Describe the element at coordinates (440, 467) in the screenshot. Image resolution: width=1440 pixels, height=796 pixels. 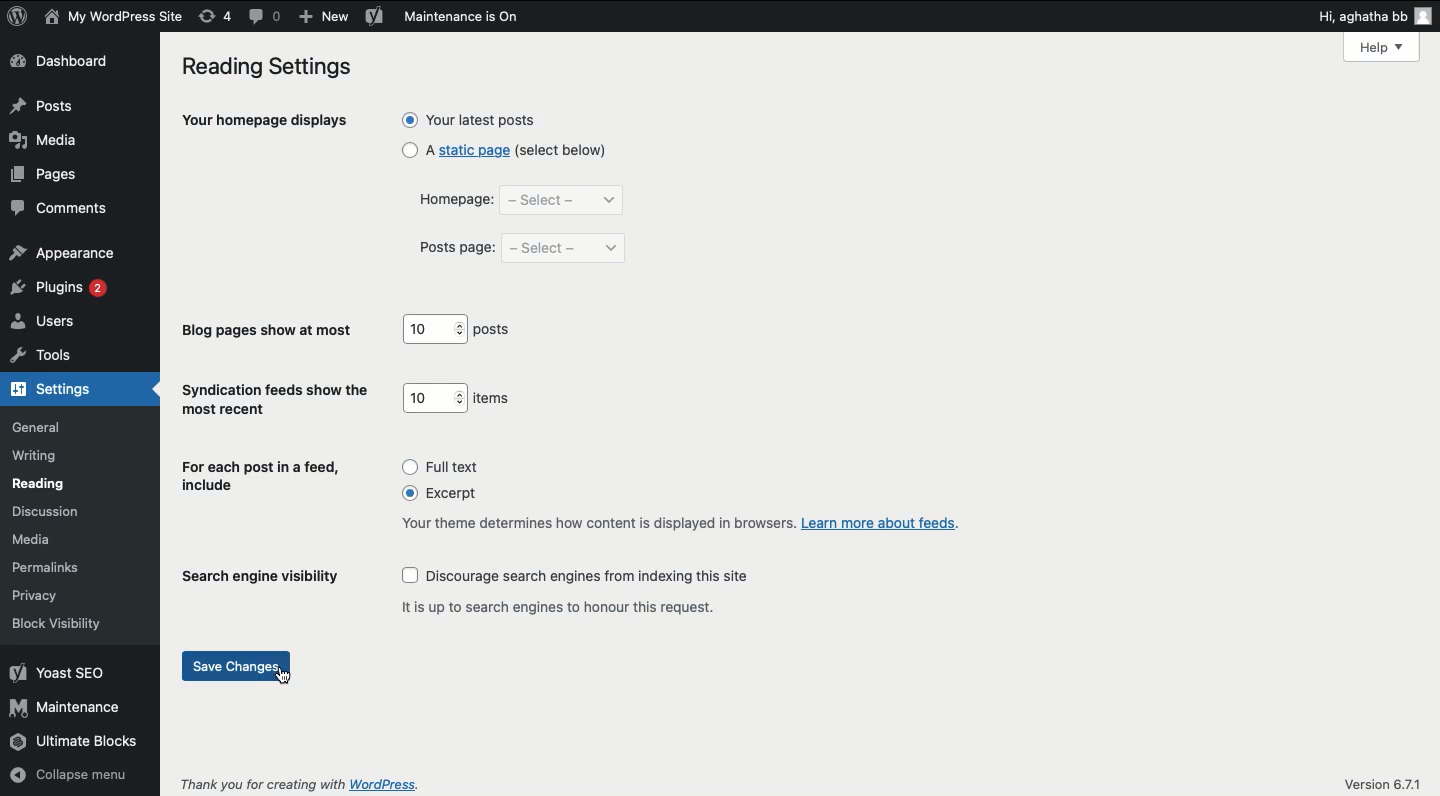
I see `full text` at that location.